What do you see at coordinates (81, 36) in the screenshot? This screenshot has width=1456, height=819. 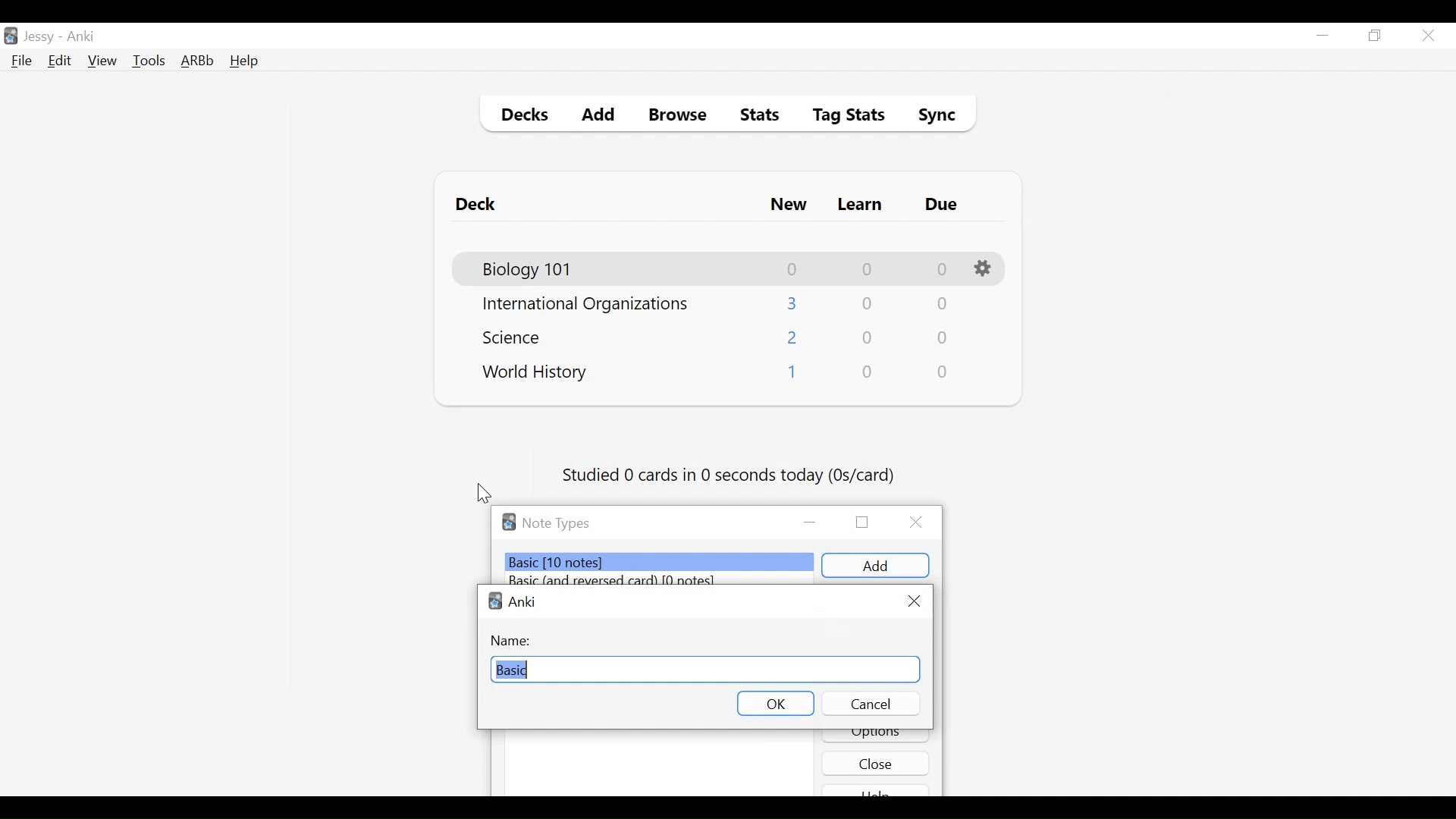 I see `Anki` at bounding box center [81, 36].